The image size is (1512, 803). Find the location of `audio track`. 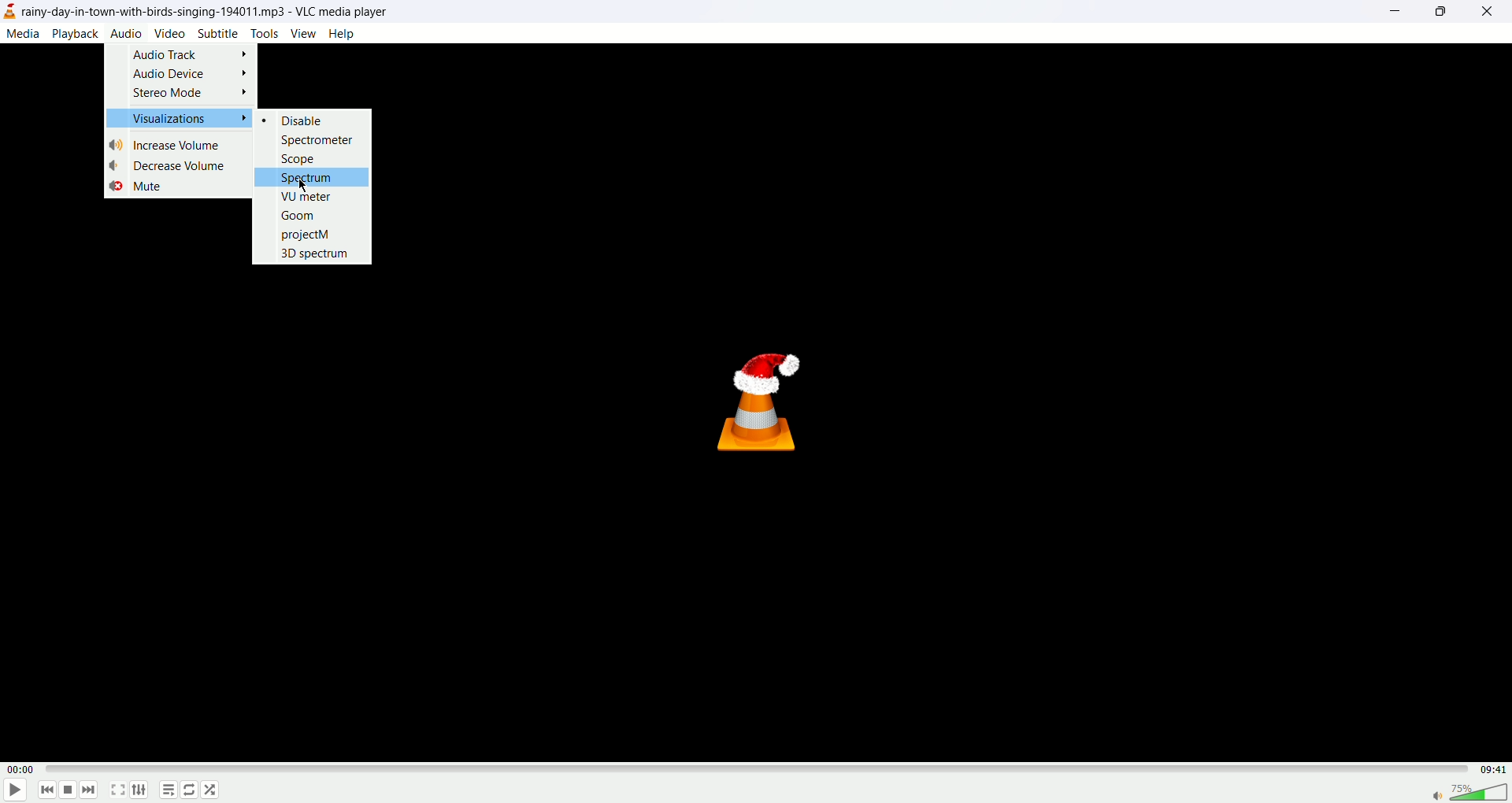

audio track is located at coordinates (191, 54).